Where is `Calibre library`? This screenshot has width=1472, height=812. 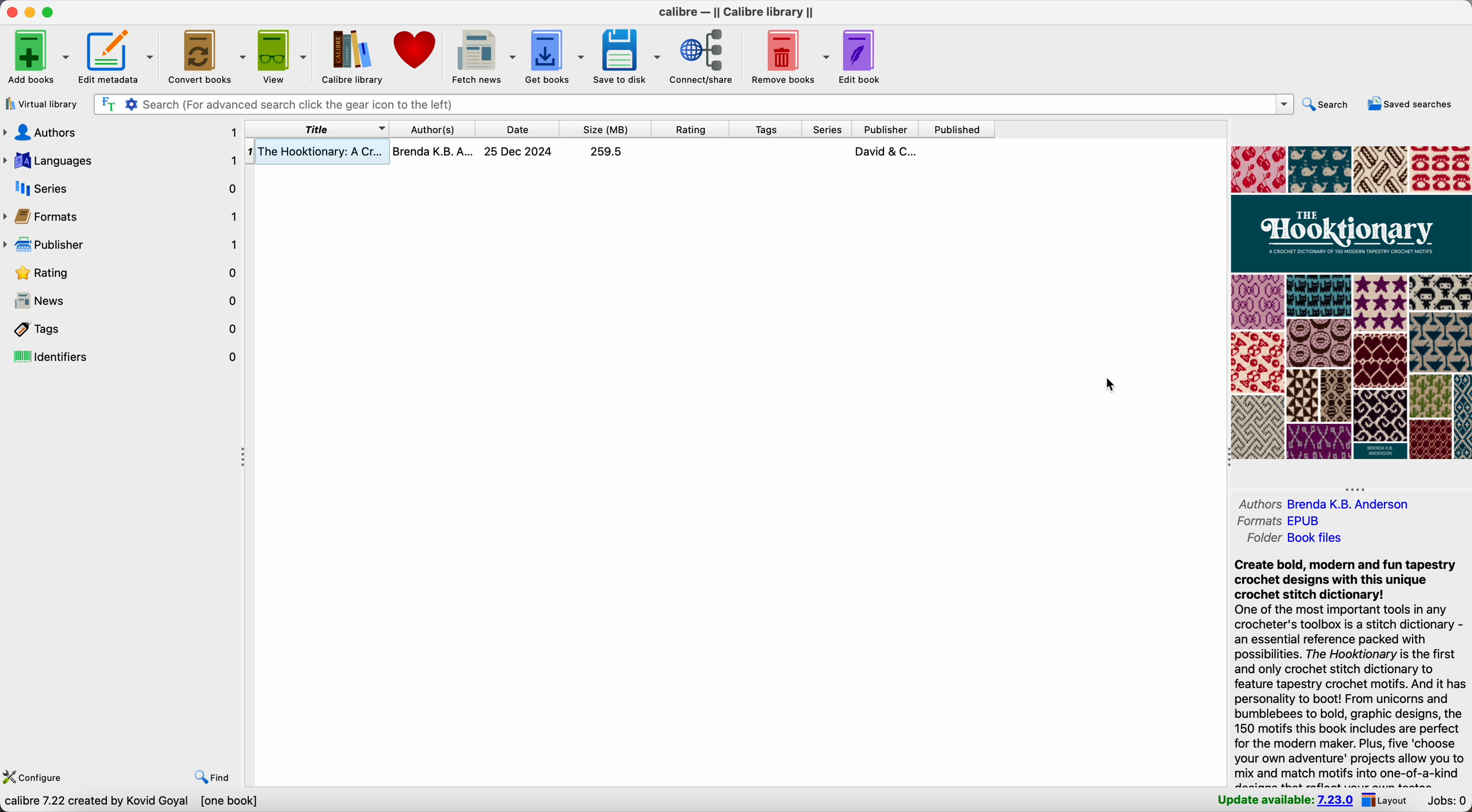 Calibre library is located at coordinates (351, 55).